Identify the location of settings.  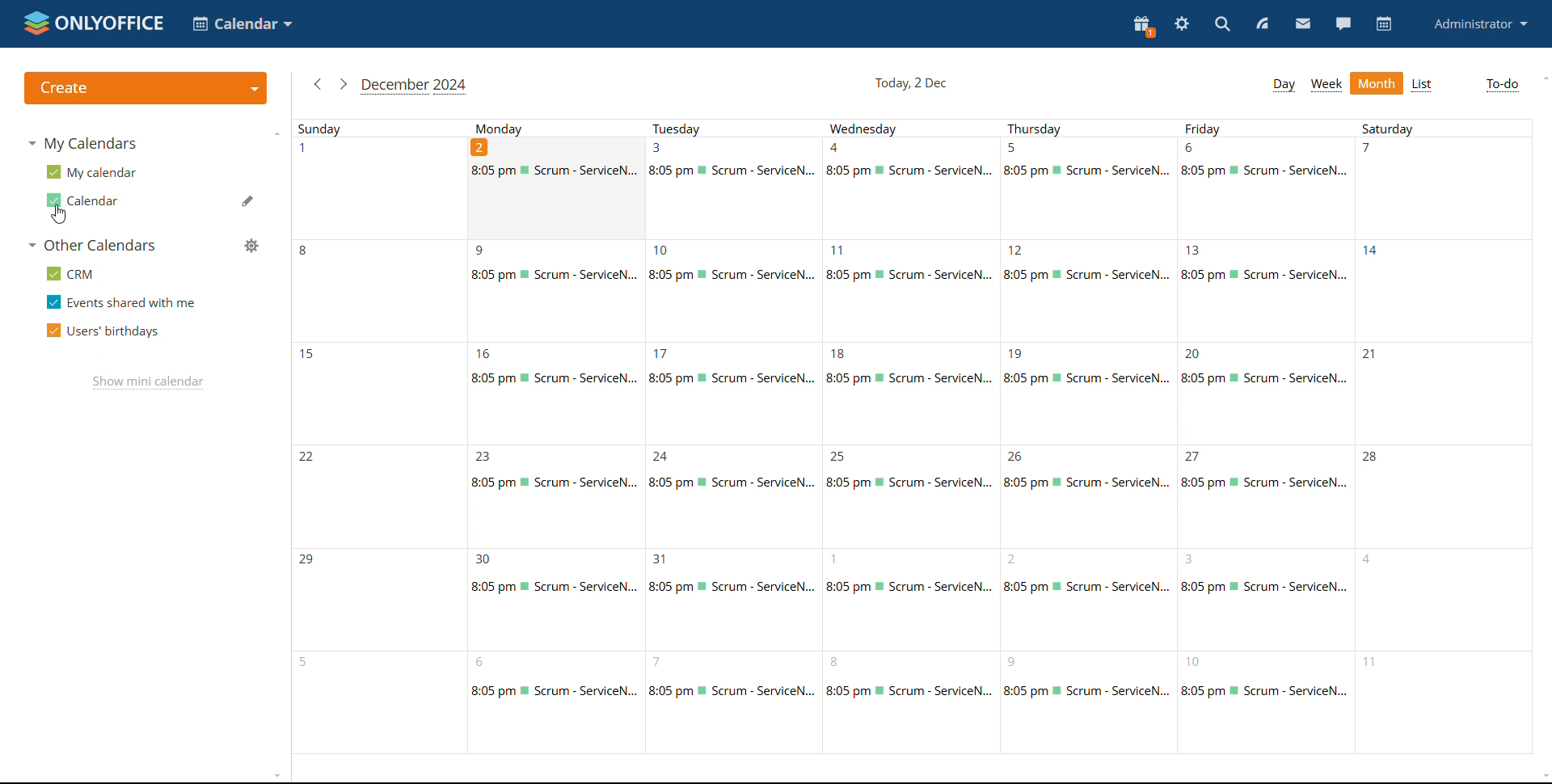
(1182, 24).